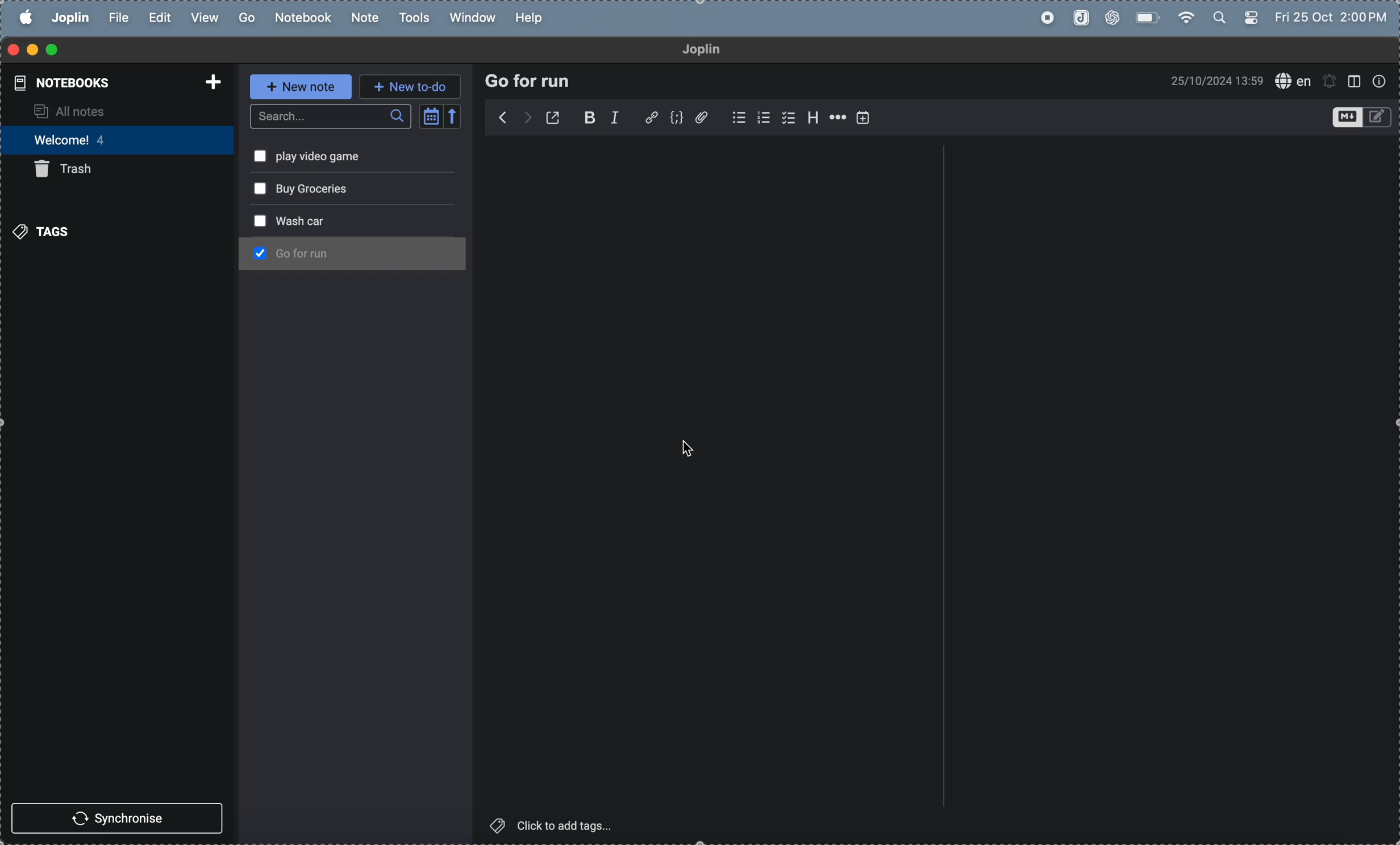  Describe the element at coordinates (299, 89) in the screenshot. I see `new note` at that location.